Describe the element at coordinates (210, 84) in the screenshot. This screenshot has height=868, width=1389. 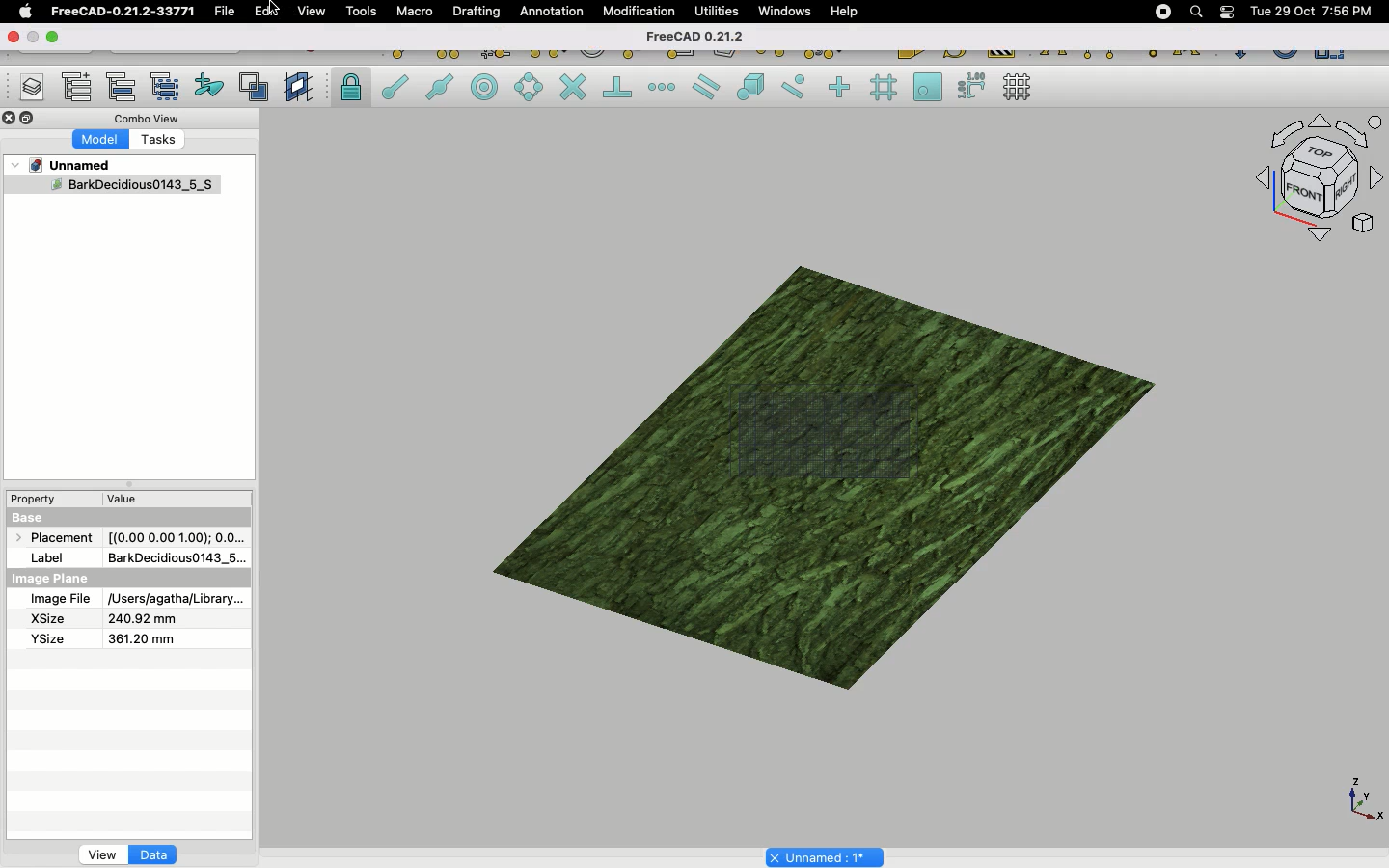
I see `Add to construction group` at that location.